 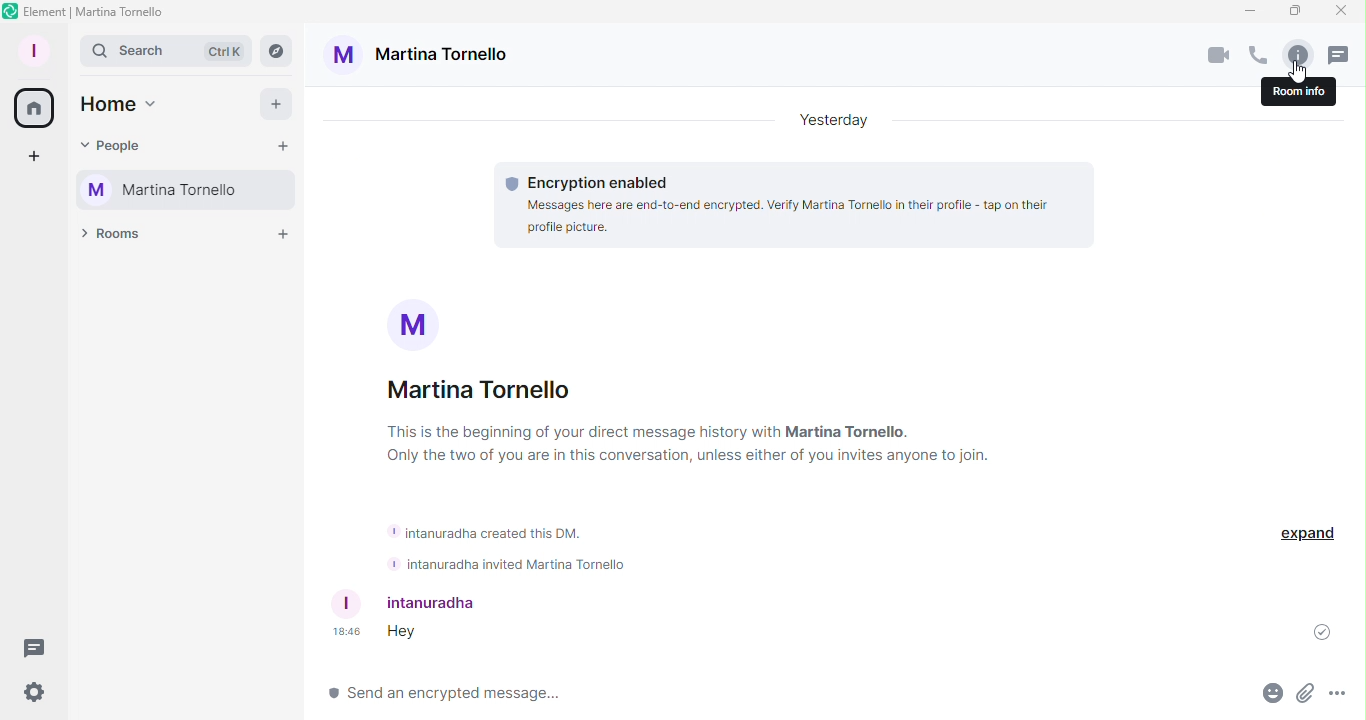 What do you see at coordinates (1219, 54) in the screenshot?
I see `Video call` at bounding box center [1219, 54].